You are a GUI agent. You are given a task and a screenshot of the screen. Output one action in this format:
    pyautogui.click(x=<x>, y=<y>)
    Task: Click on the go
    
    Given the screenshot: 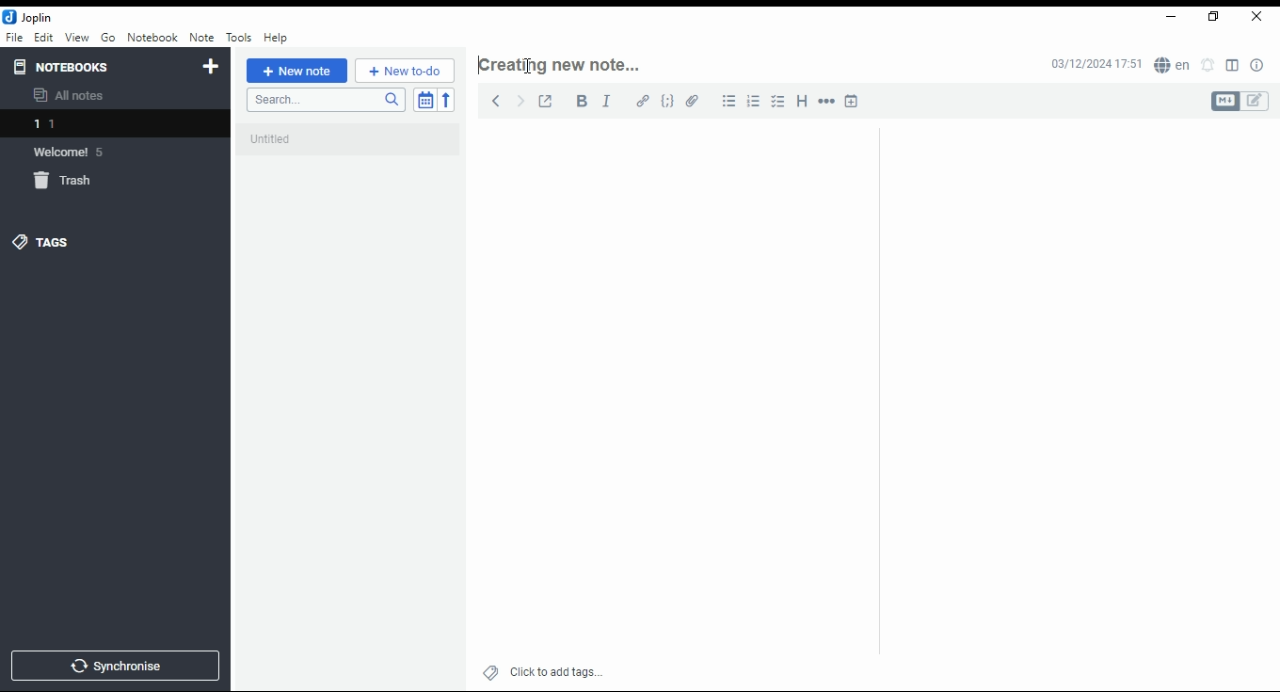 What is the action you would take?
    pyautogui.click(x=108, y=38)
    